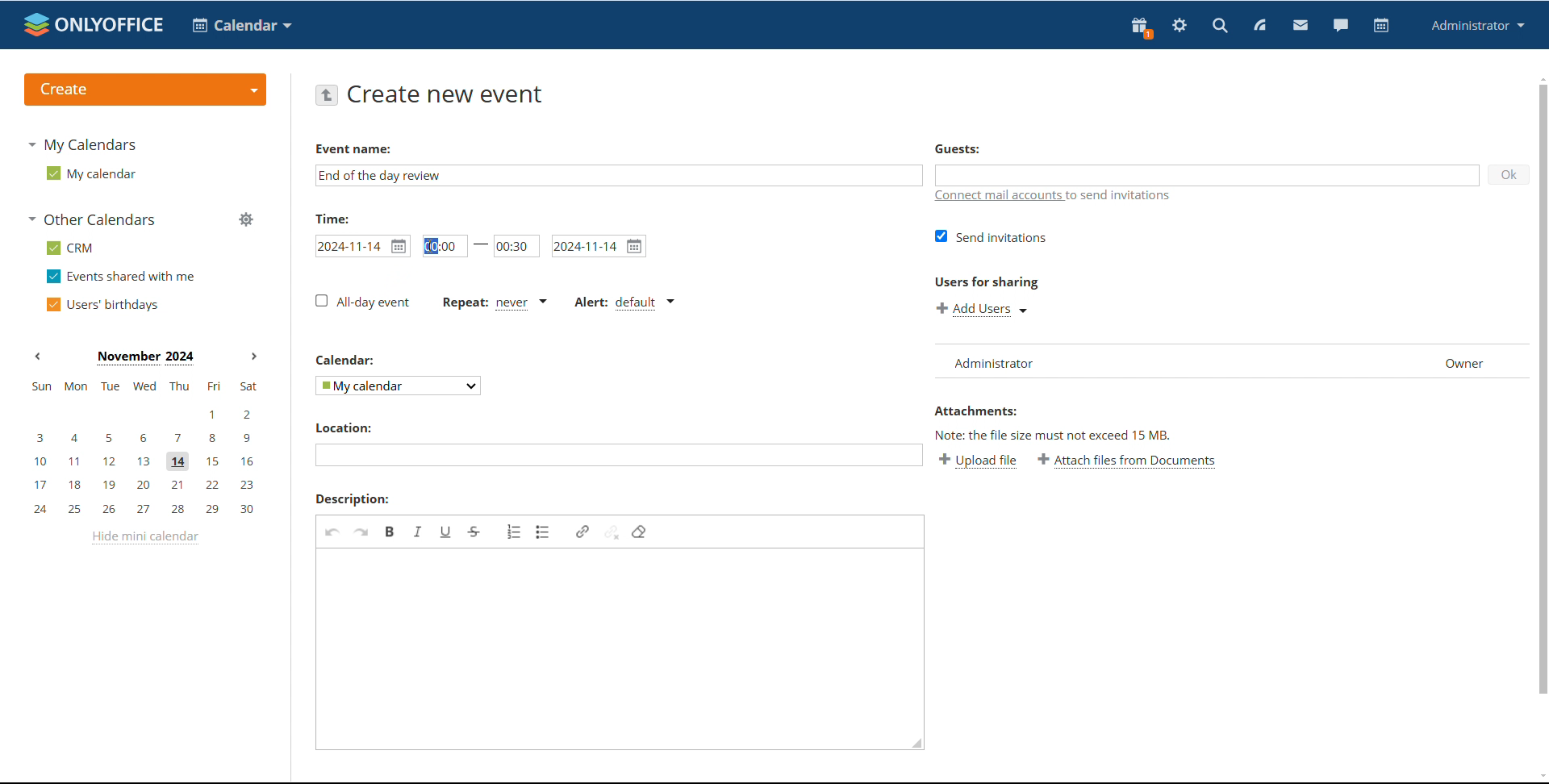 This screenshot has height=784, width=1549. I want to click on select calendar, so click(399, 385).